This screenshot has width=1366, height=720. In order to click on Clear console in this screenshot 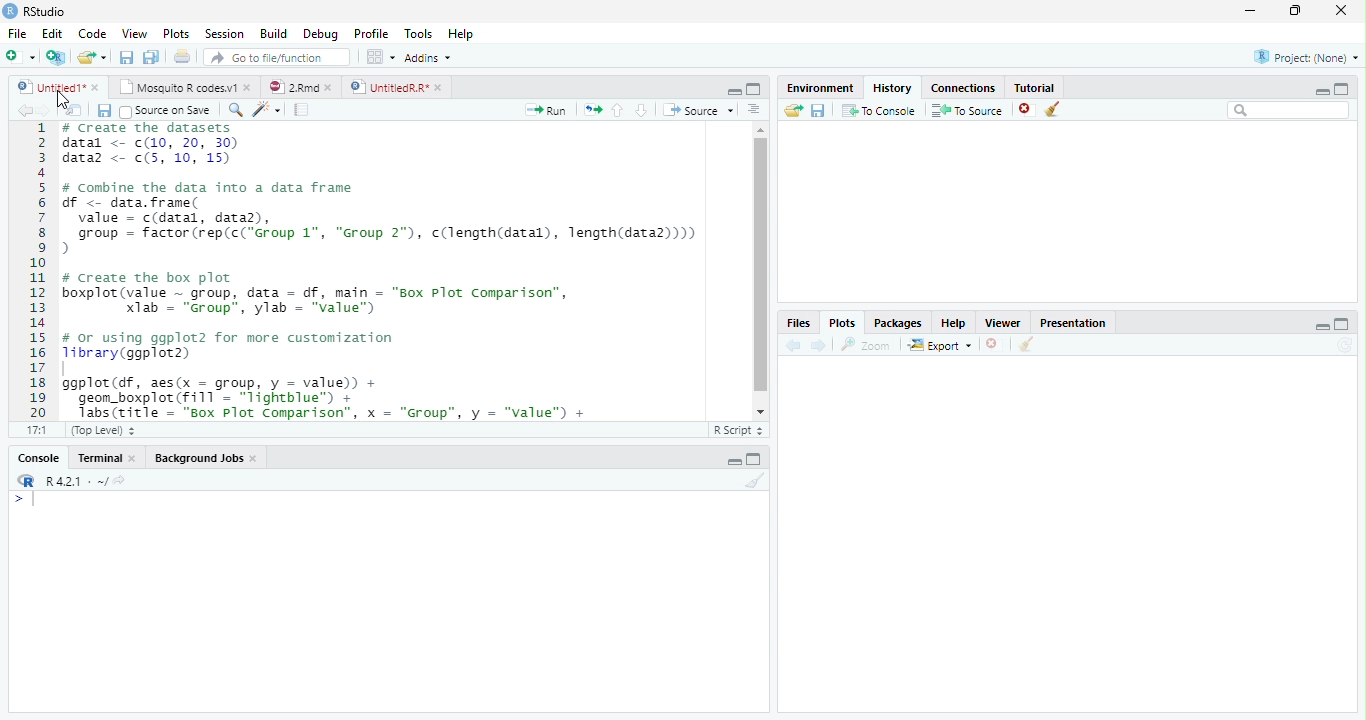, I will do `click(756, 480)`.